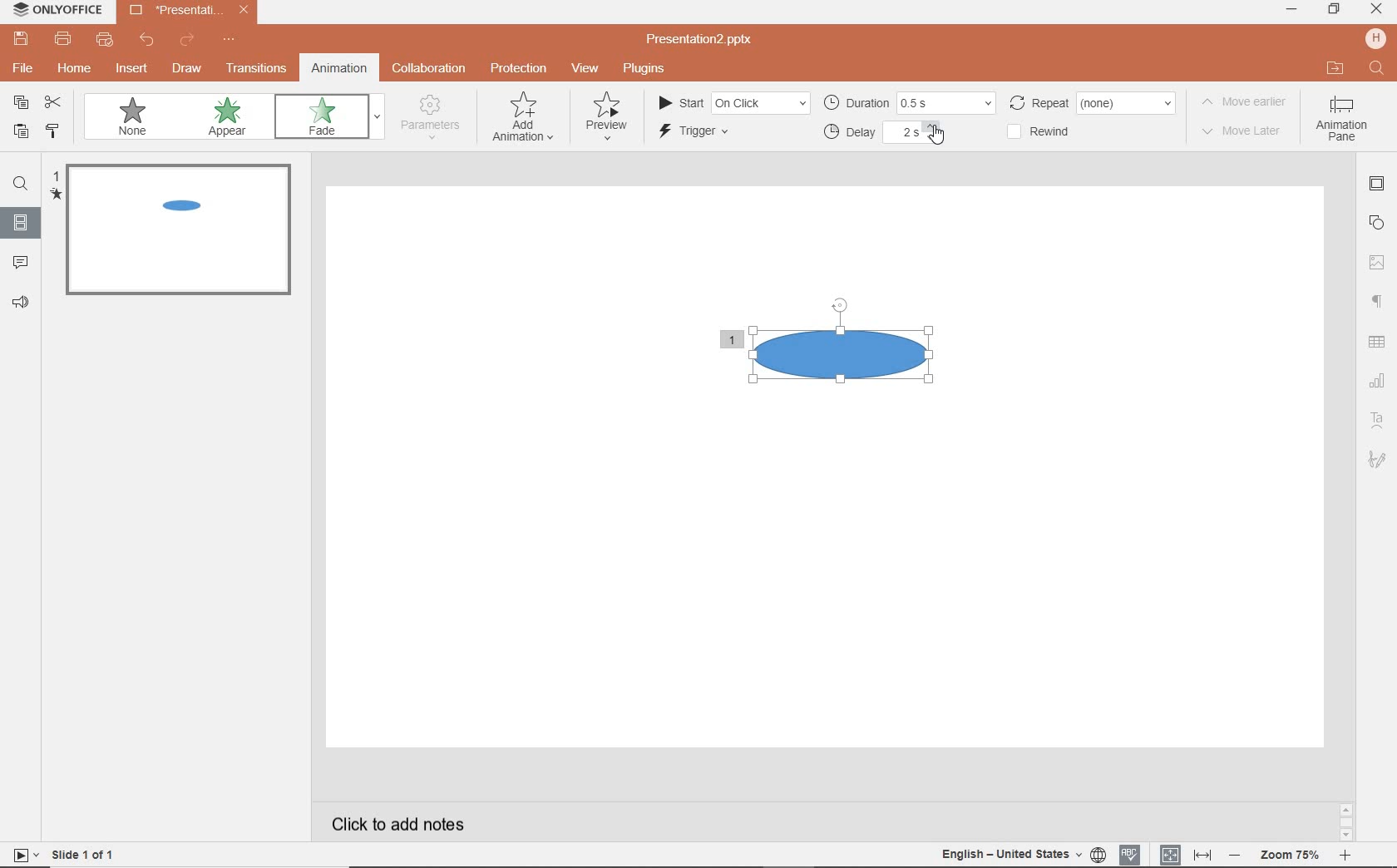 The width and height of the screenshot is (1397, 868). I want to click on CHART SETTINGS, so click(1380, 377).